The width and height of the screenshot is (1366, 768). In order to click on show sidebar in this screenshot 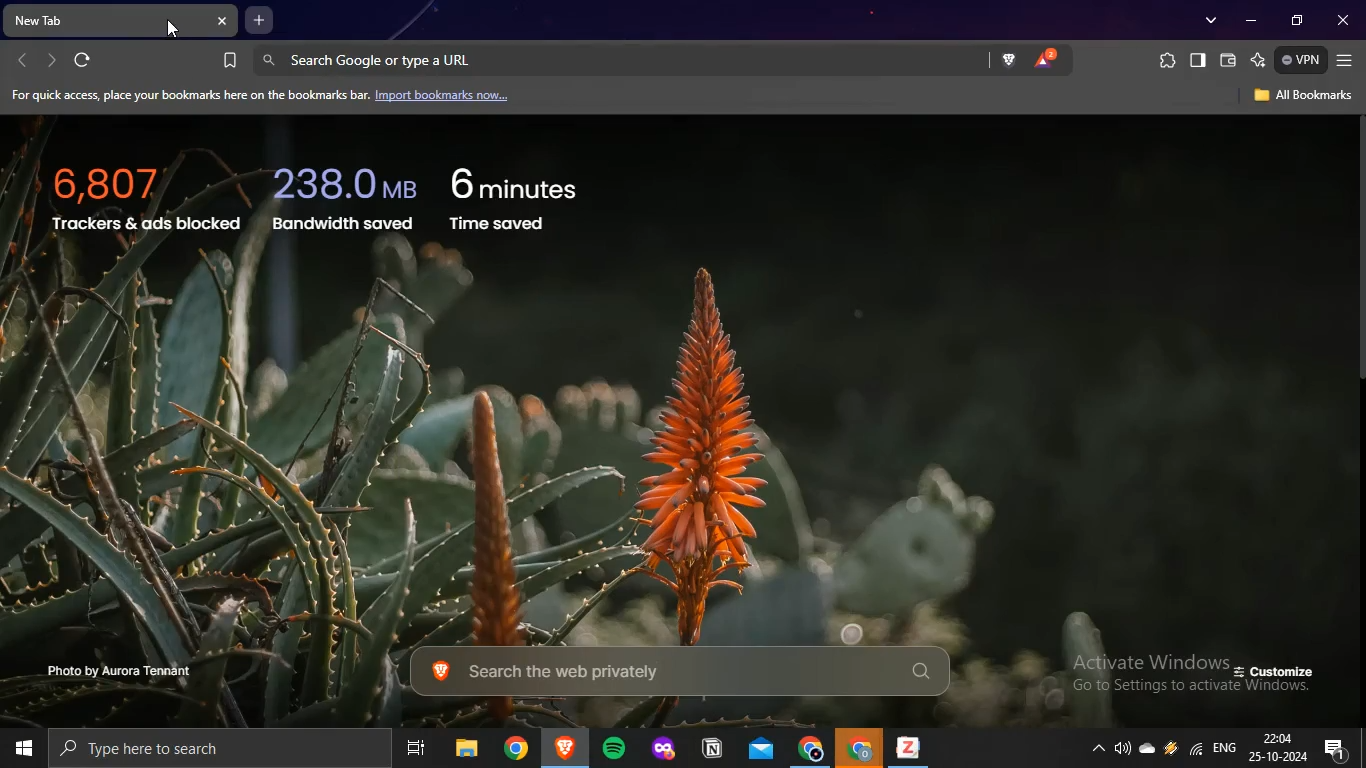, I will do `click(1198, 58)`.